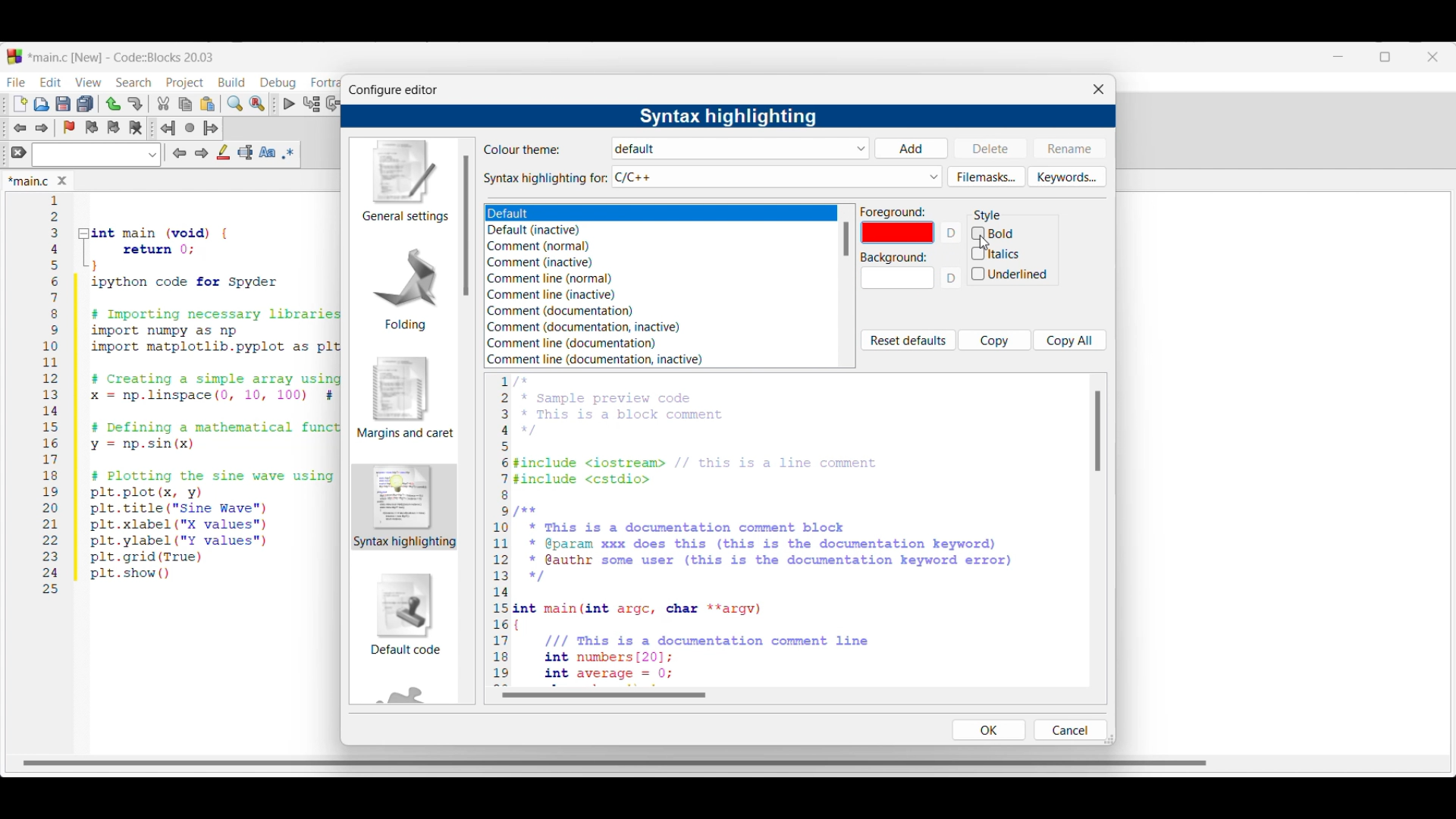 The width and height of the screenshot is (1456, 819). What do you see at coordinates (20, 128) in the screenshot?
I see `Toggle back` at bounding box center [20, 128].